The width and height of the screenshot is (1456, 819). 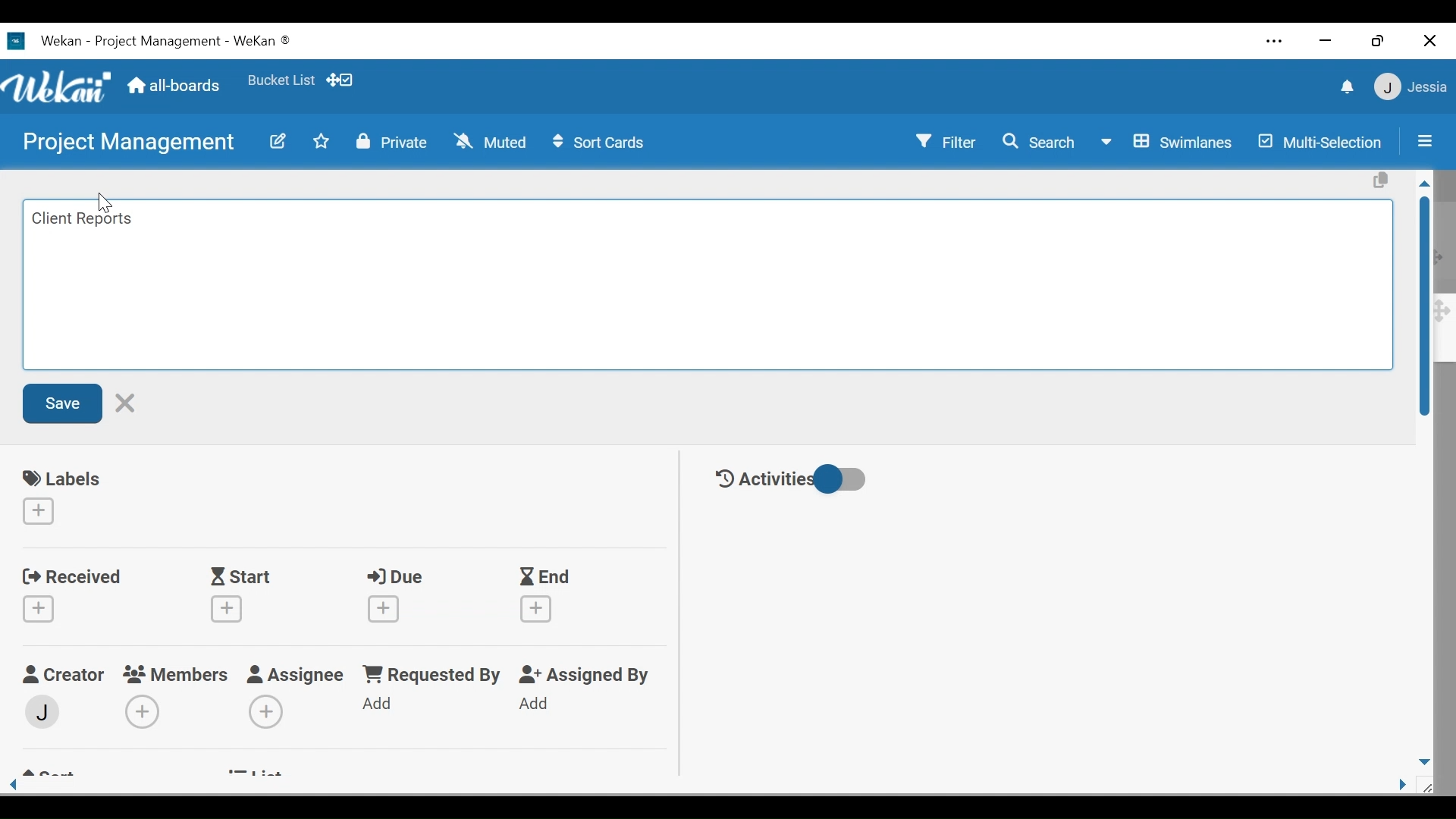 I want to click on cursor, so click(x=102, y=201).